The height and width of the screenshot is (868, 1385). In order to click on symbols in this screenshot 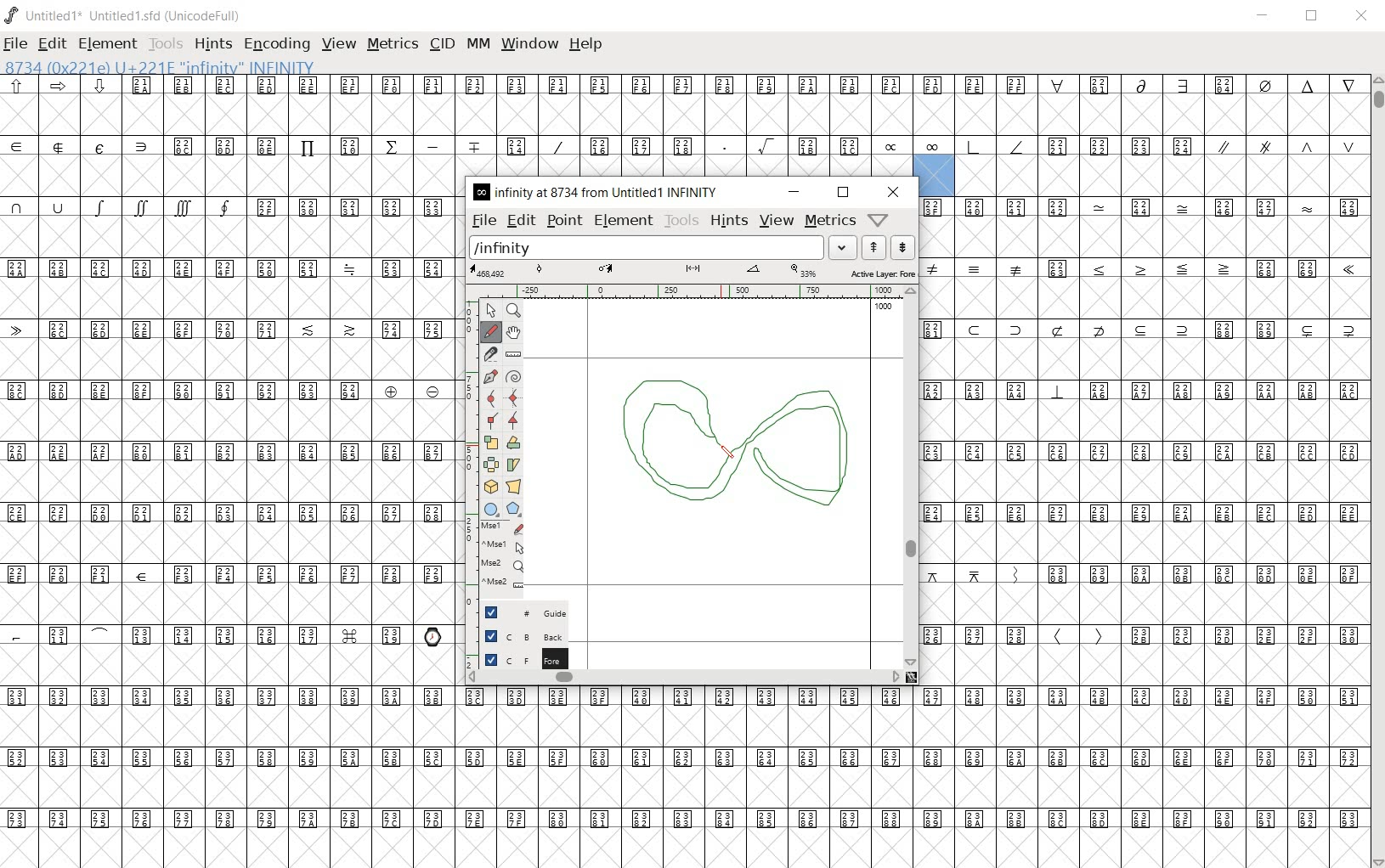, I will do `click(1165, 269)`.